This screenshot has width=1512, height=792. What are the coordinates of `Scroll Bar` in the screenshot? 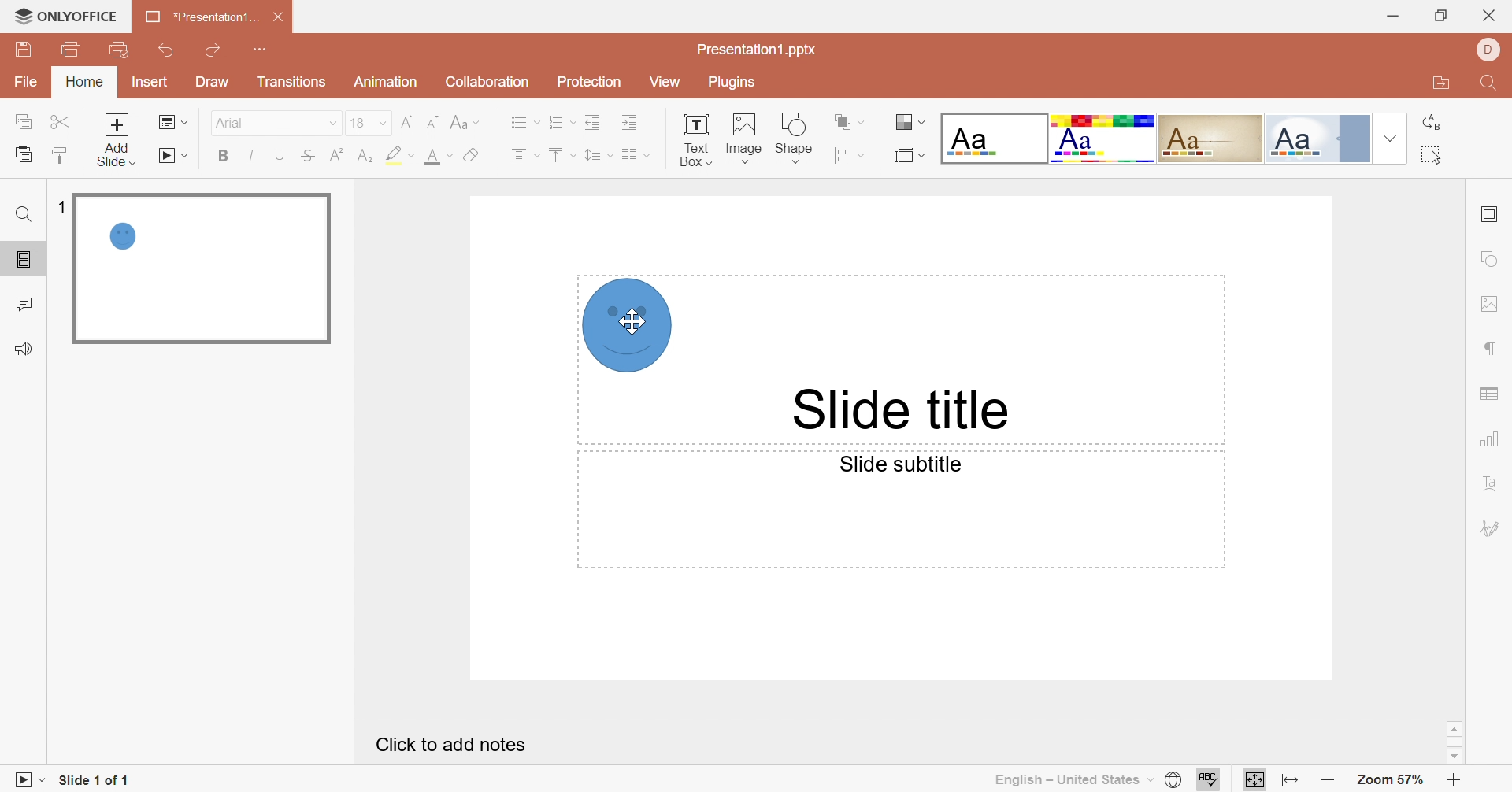 It's located at (1454, 742).